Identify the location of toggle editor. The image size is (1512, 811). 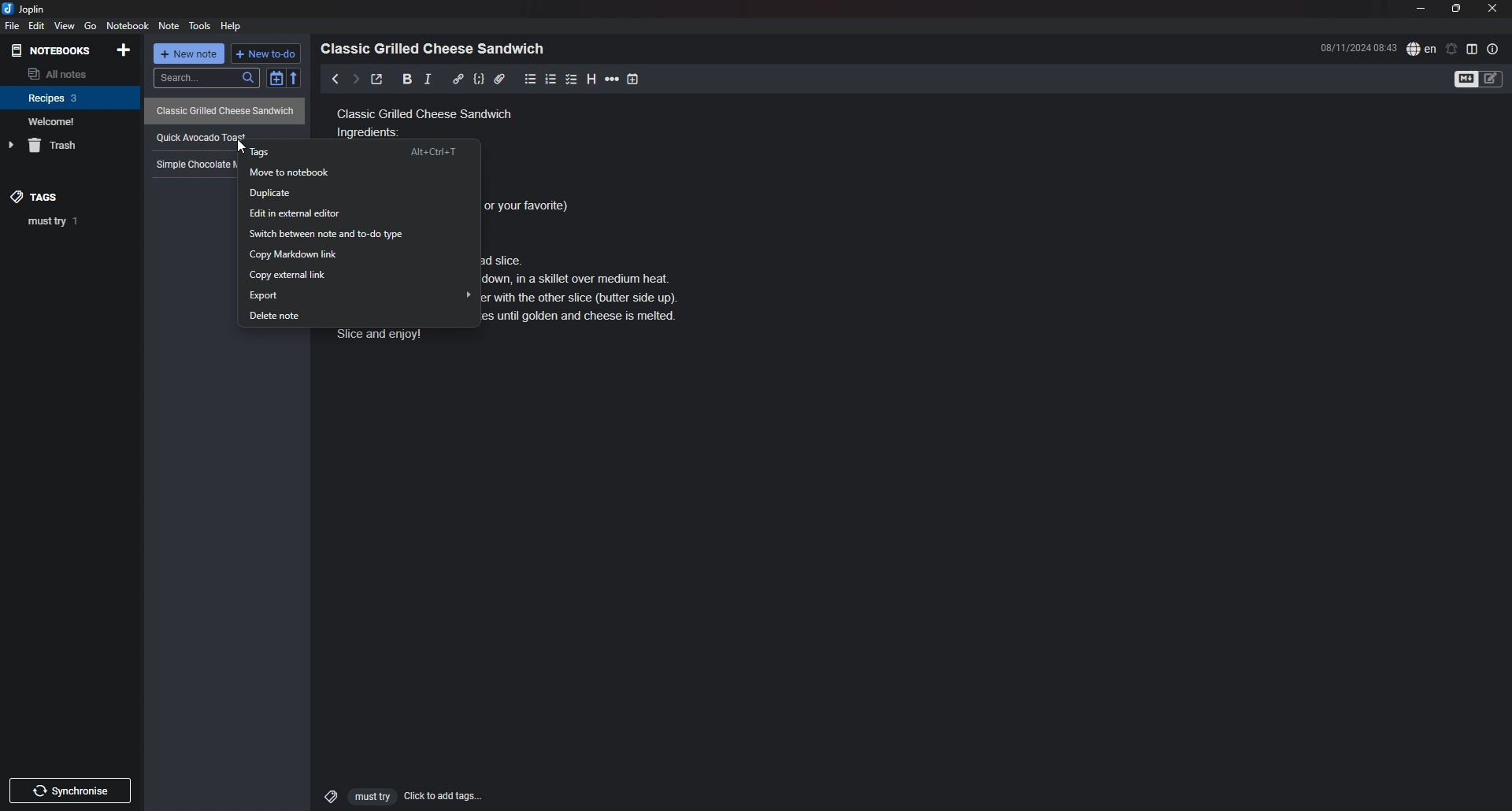
(1480, 80).